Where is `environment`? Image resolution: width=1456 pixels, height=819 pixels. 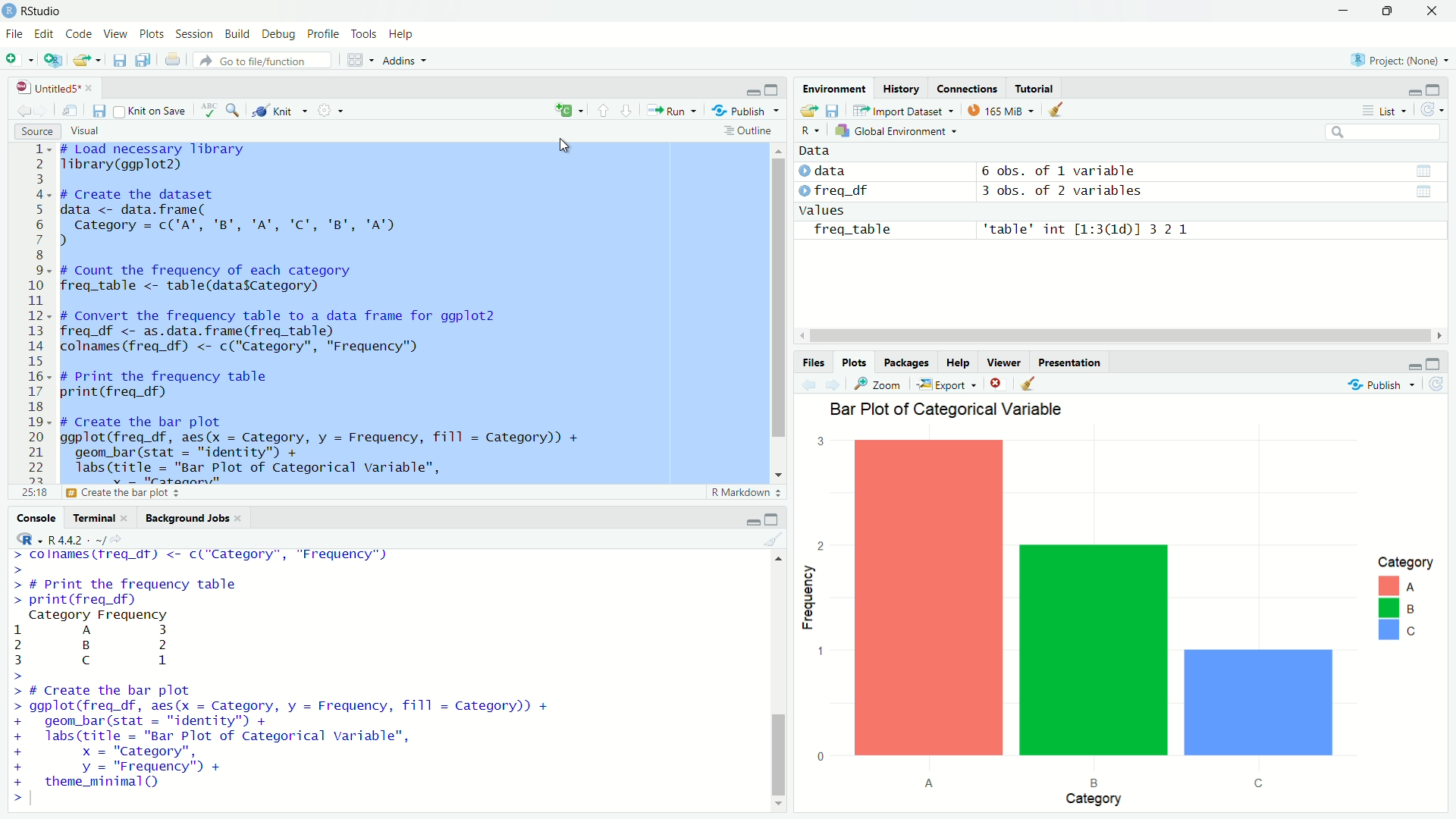 environment is located at coordinates (836, 88).